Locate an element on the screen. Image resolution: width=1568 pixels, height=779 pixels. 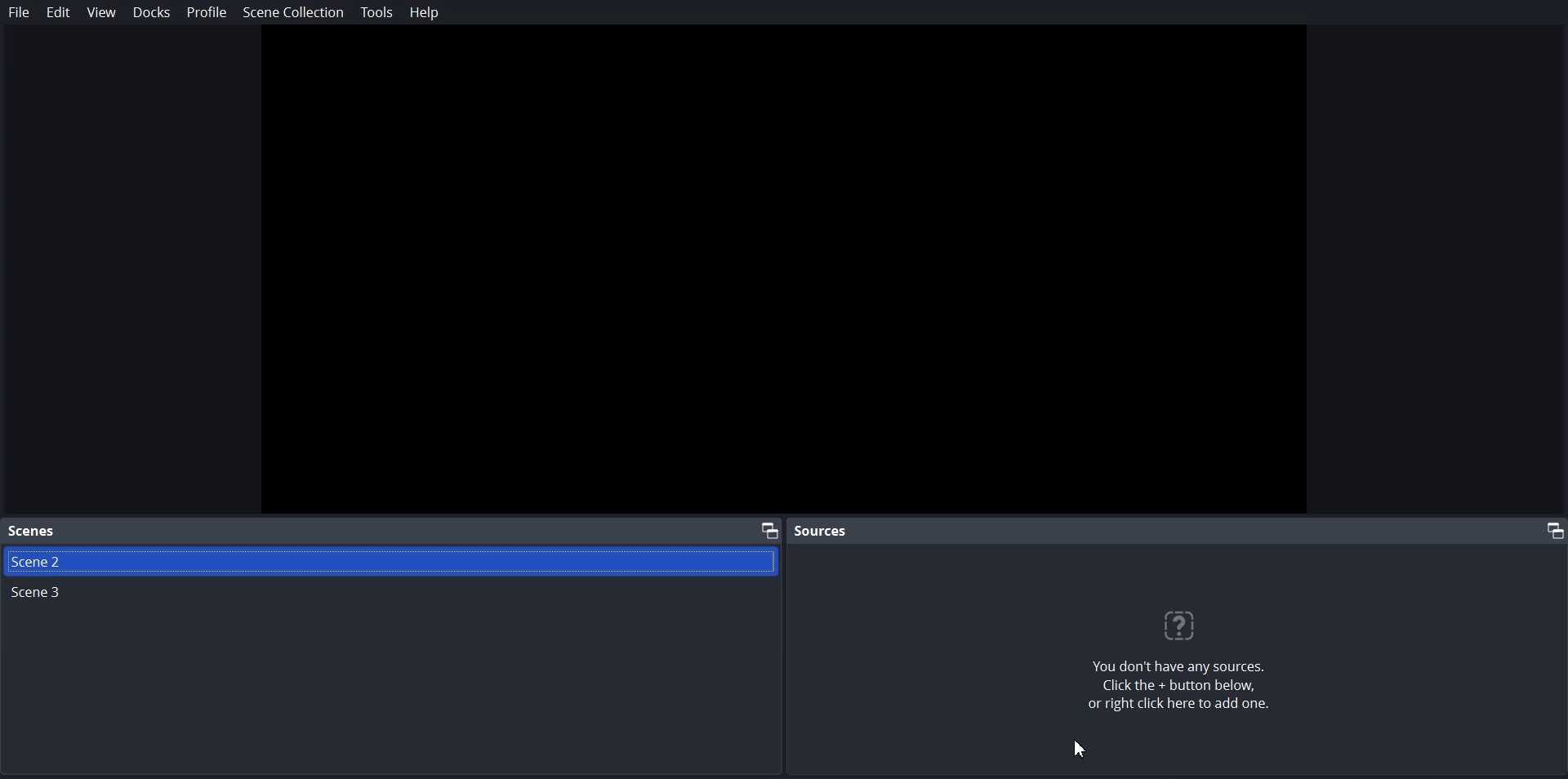
Help is located at coordinates (422, 11).